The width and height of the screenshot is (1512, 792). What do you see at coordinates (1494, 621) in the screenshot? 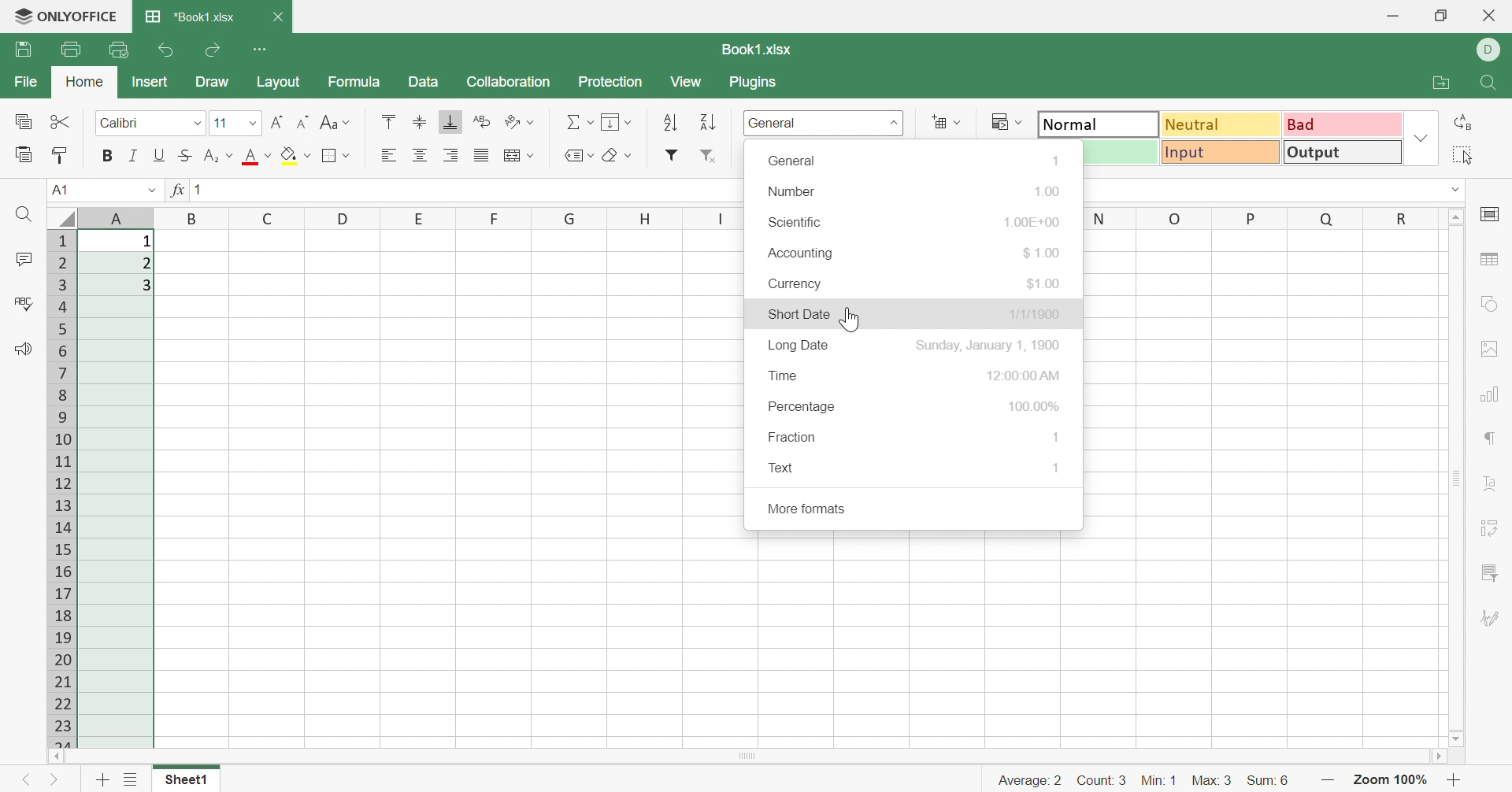
I see `Signature settings` at bounding box center [1494, 621].